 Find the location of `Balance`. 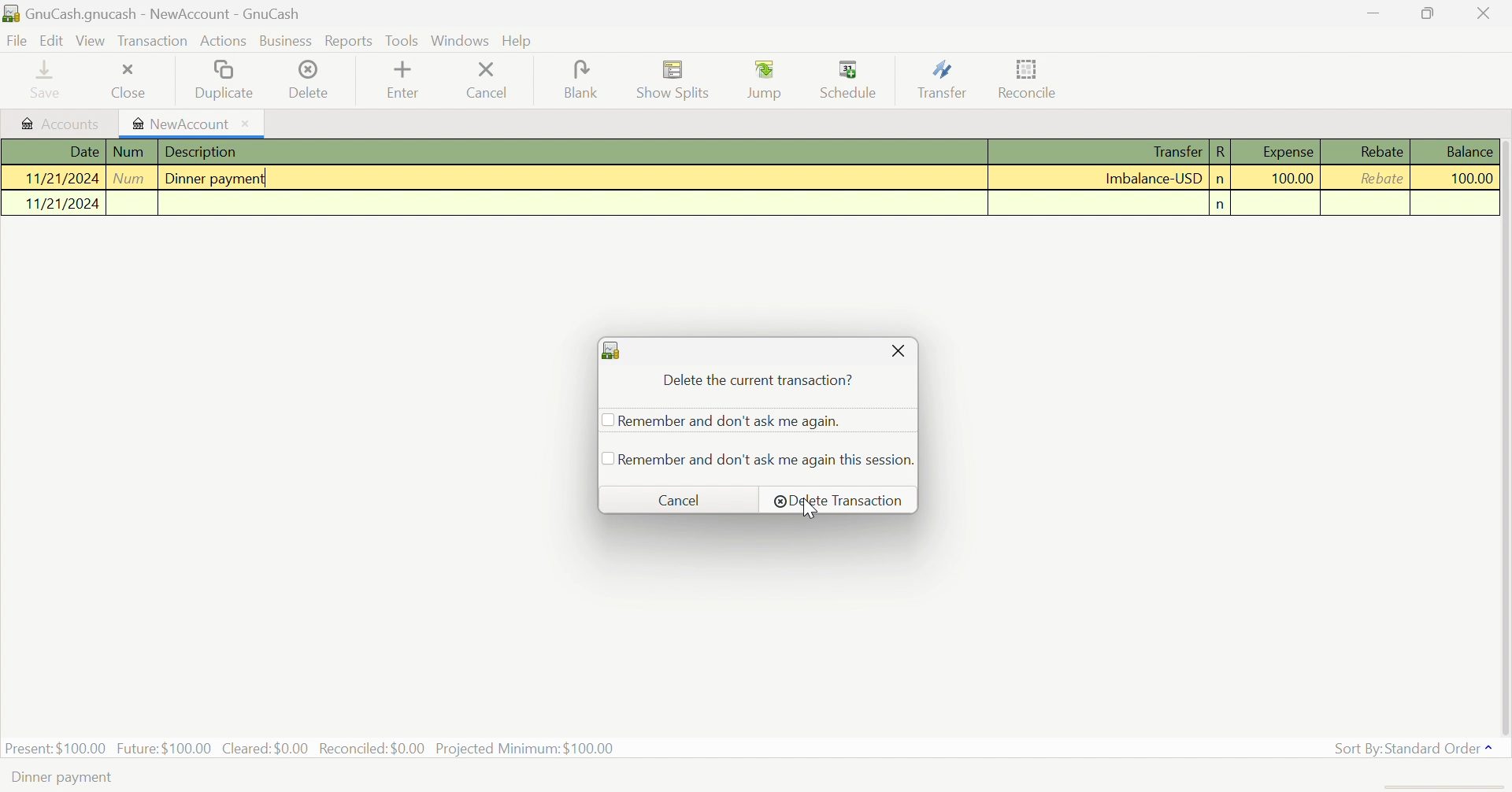

Balance is located at coordinates (1468, 151).